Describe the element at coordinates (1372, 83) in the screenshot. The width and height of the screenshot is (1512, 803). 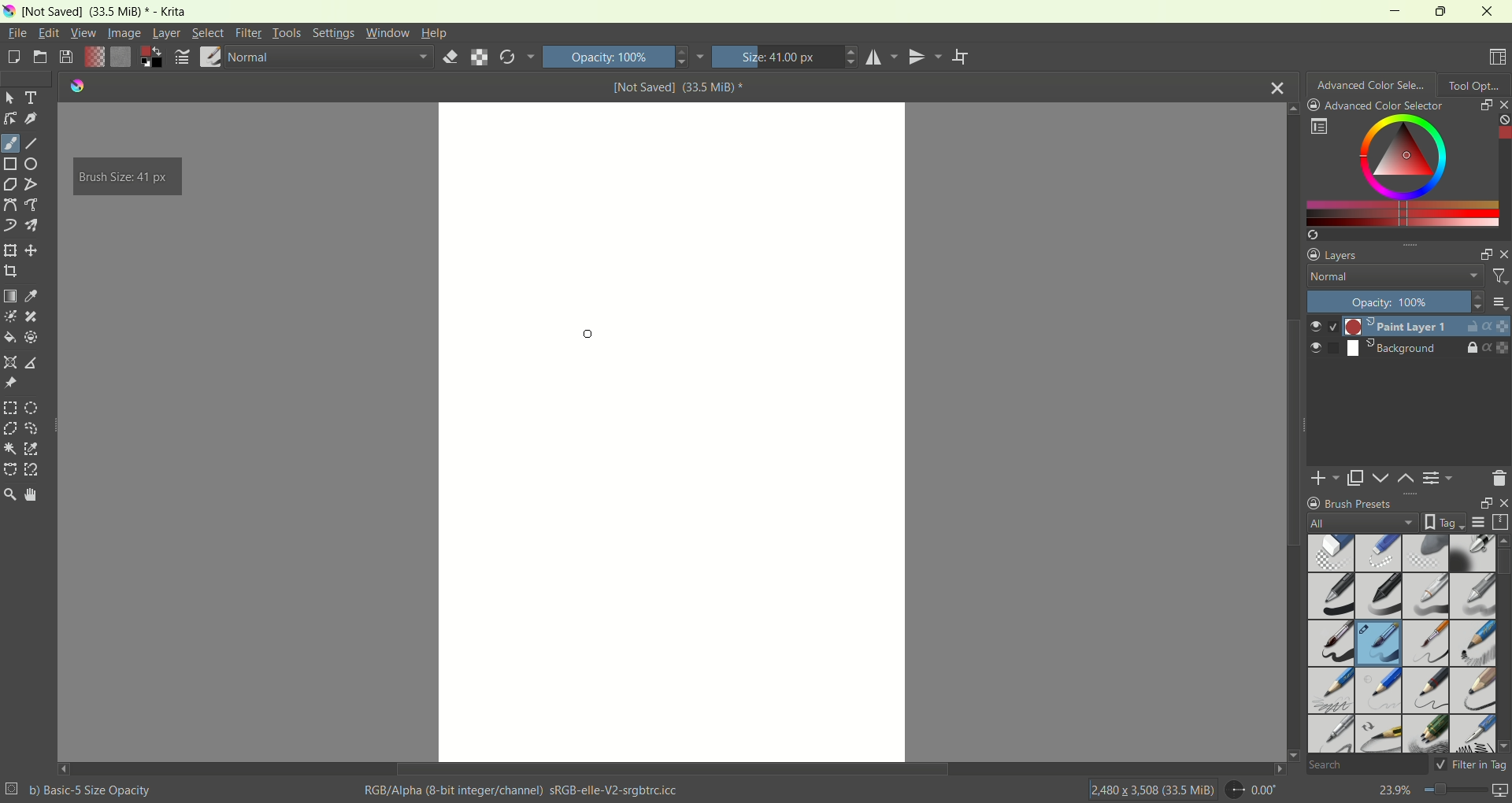
I see `advanced color selection` at that location.